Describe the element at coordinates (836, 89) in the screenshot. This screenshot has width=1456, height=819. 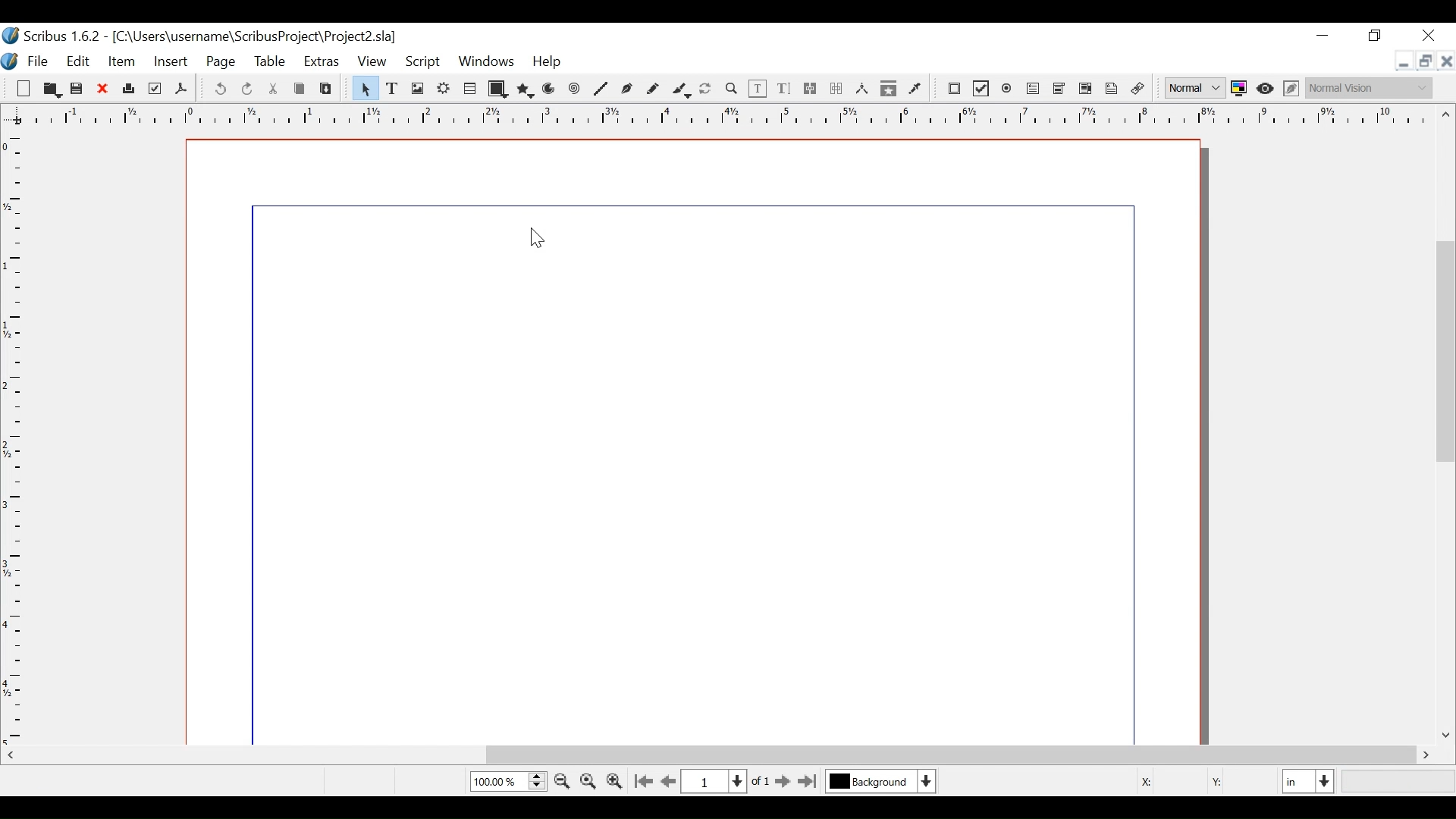
I see `Unlink Text frame` at that location.